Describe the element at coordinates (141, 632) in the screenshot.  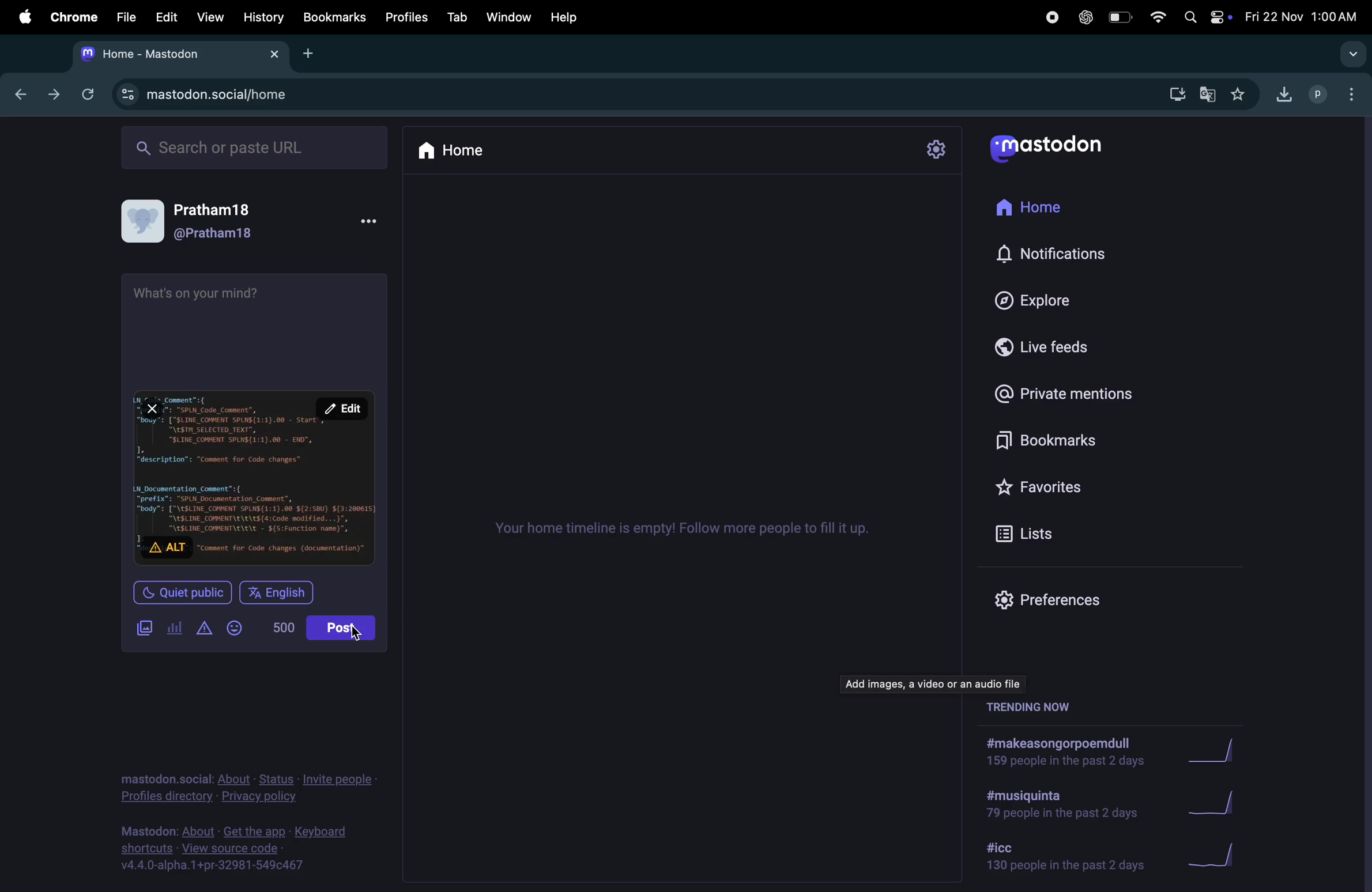
I see `add images` at that location.